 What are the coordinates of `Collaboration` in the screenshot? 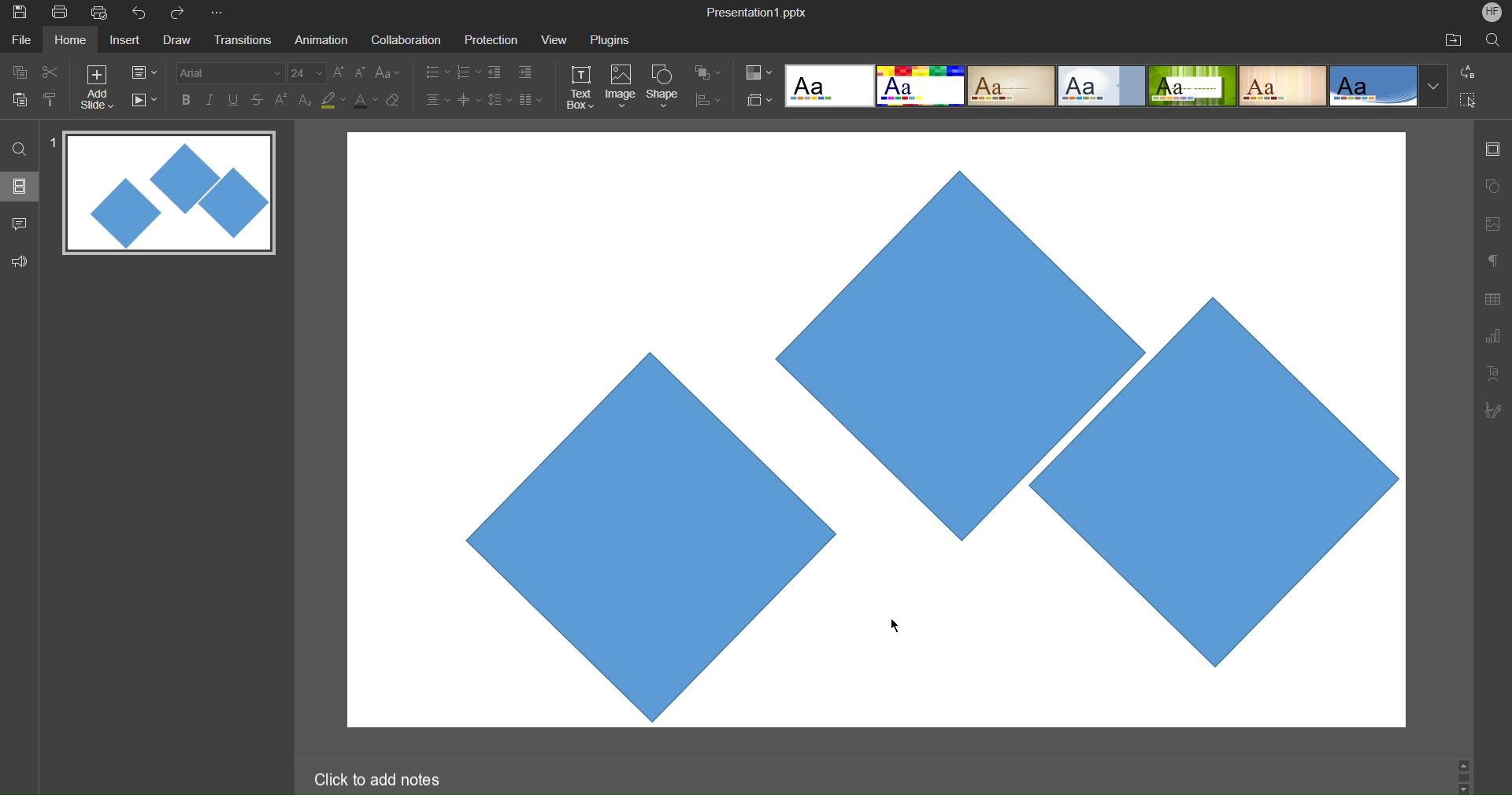 It's located at (403, 40).